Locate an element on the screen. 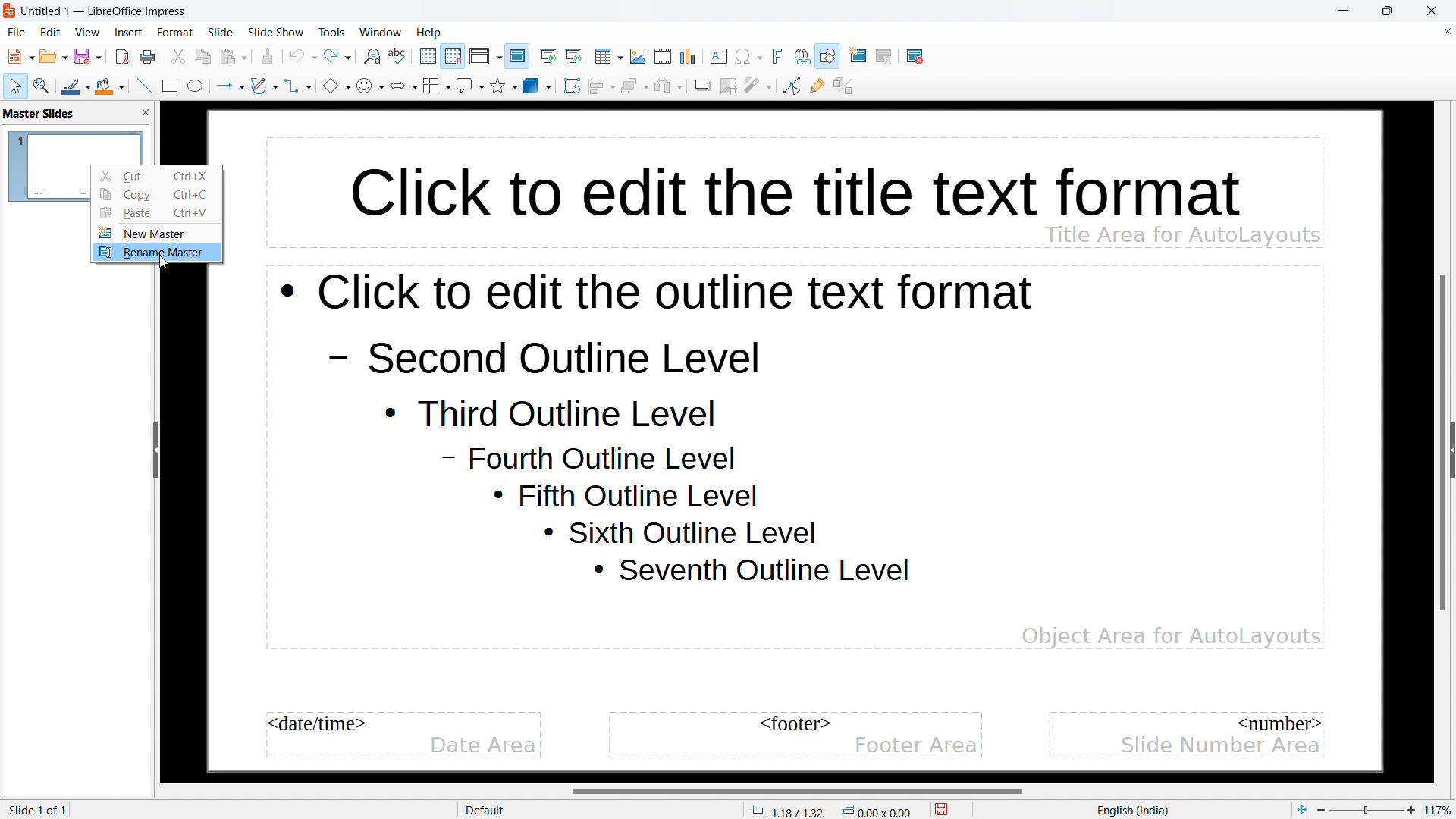  insert fontwork text is located at coordinates (777, 56).